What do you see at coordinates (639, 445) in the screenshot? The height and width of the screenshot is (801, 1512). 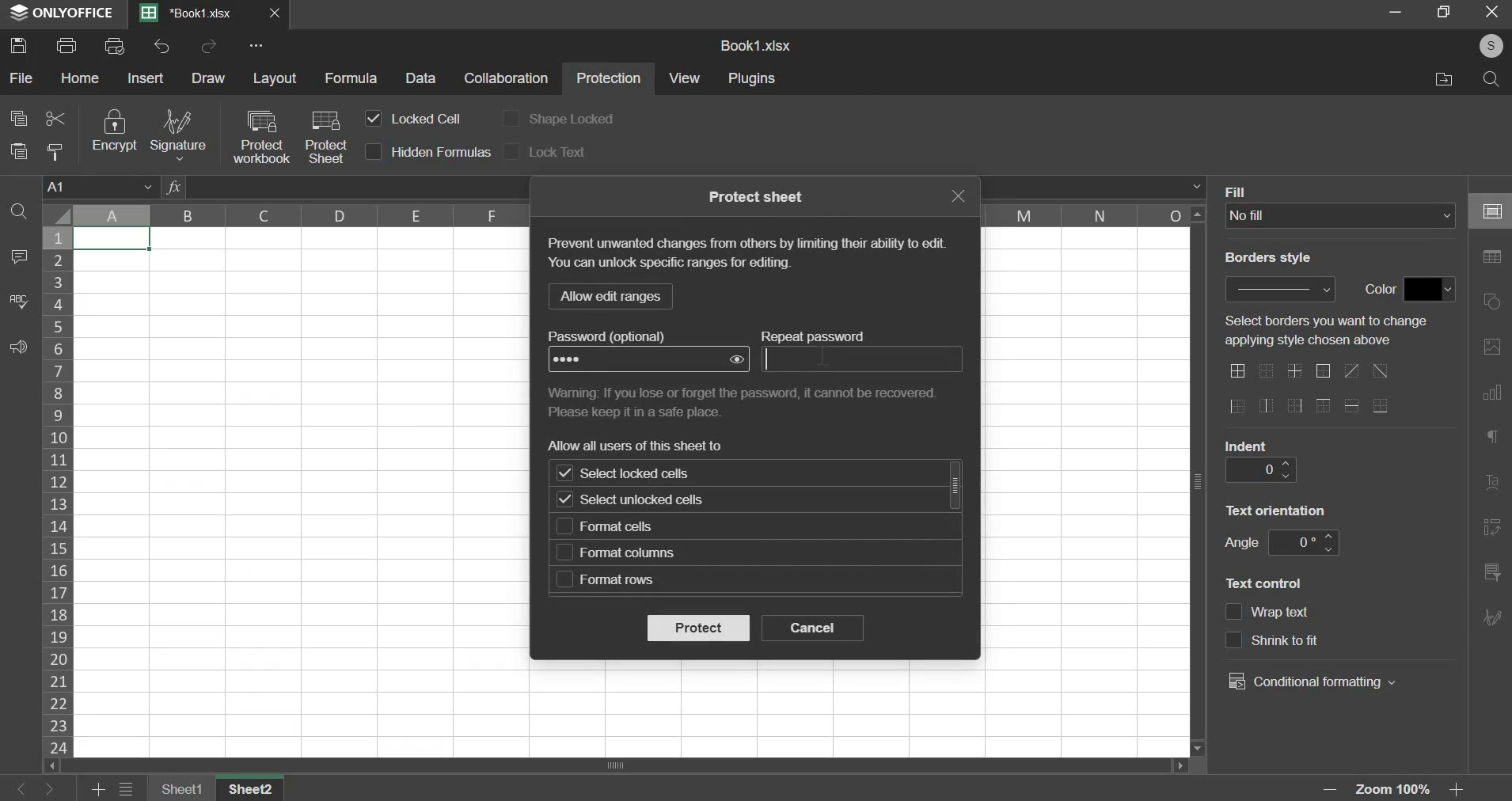 I see `text` at bounding box center [639, 445].